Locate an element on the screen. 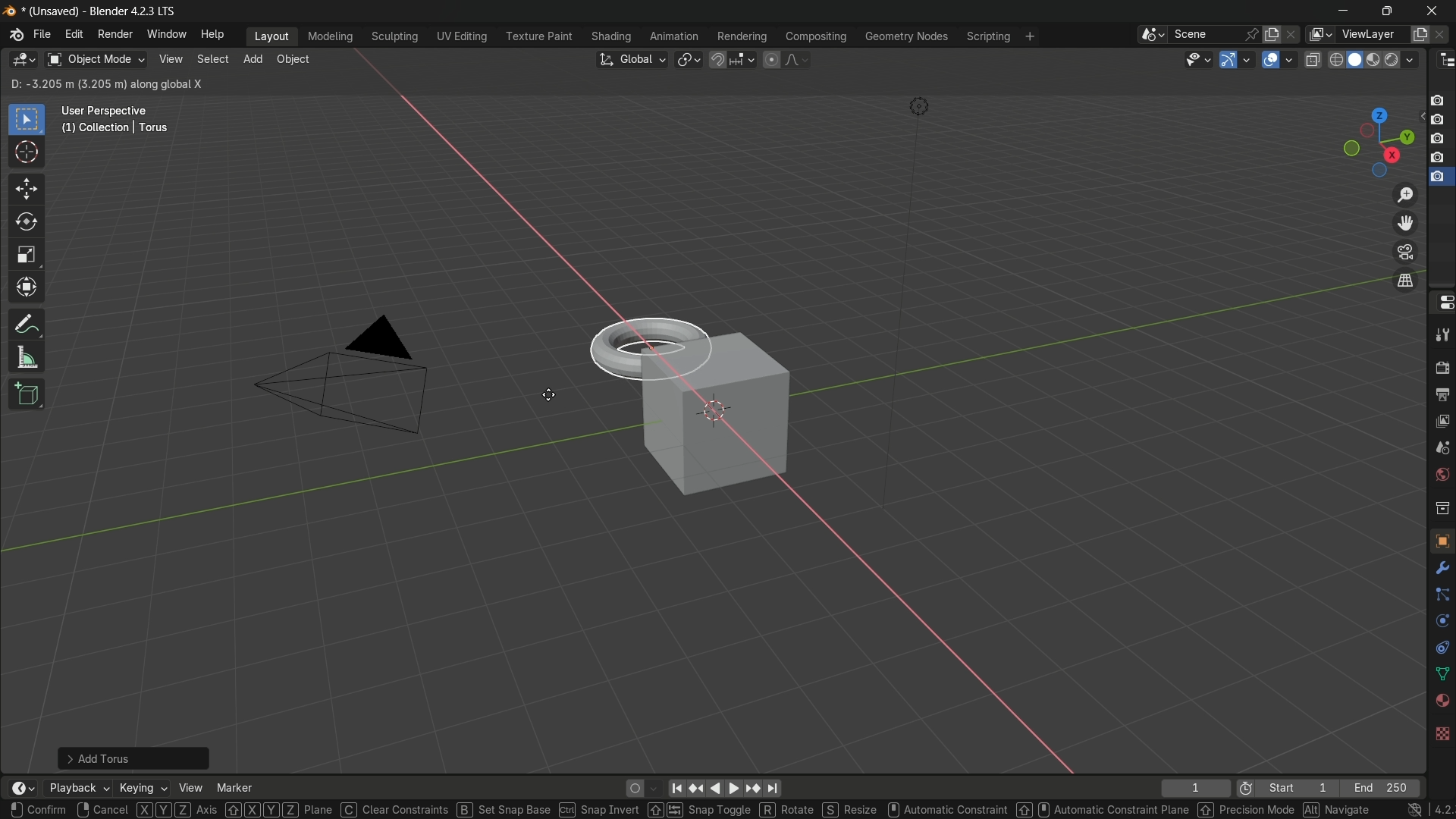 Image resolution: width=1456 pixels, height=819 pixels. jump to keyframe is located at coordinates (695, 789).